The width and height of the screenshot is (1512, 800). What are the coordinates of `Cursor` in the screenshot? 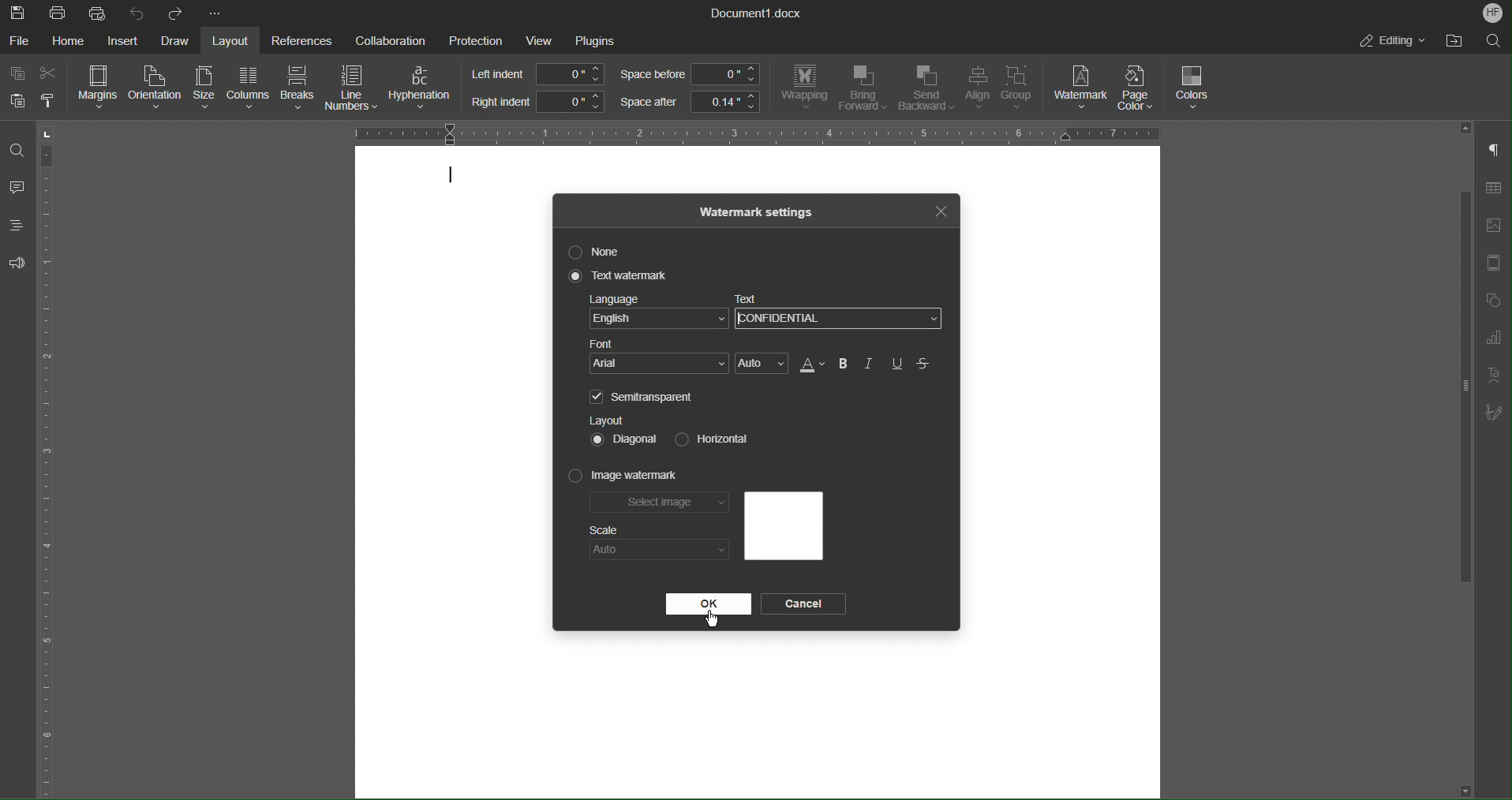 It's located at (713, 616).